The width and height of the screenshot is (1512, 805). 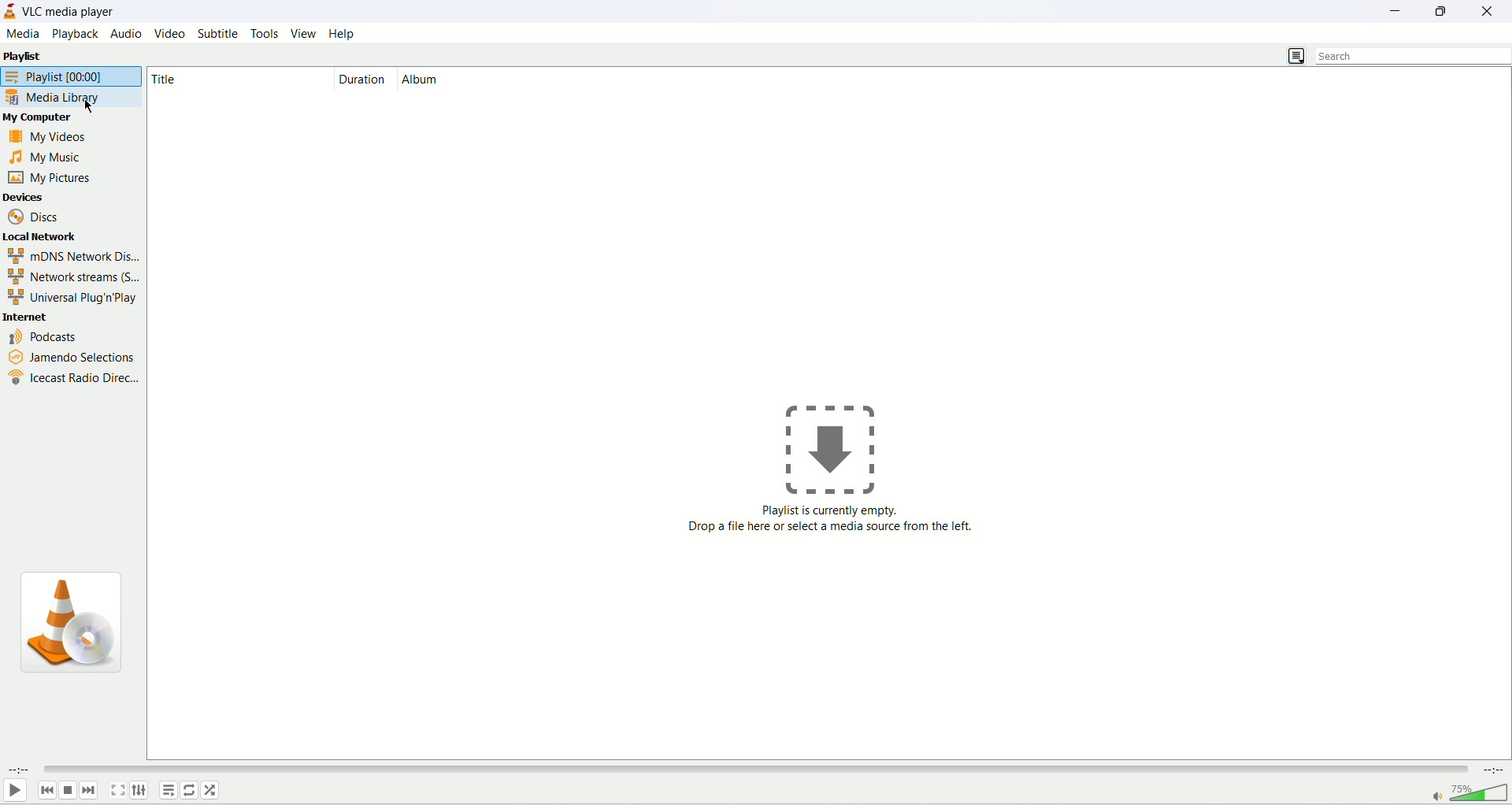 What do you see at coordinates (343, 34) in the screenshot?
I see `help` at bounding box center [343, 34].